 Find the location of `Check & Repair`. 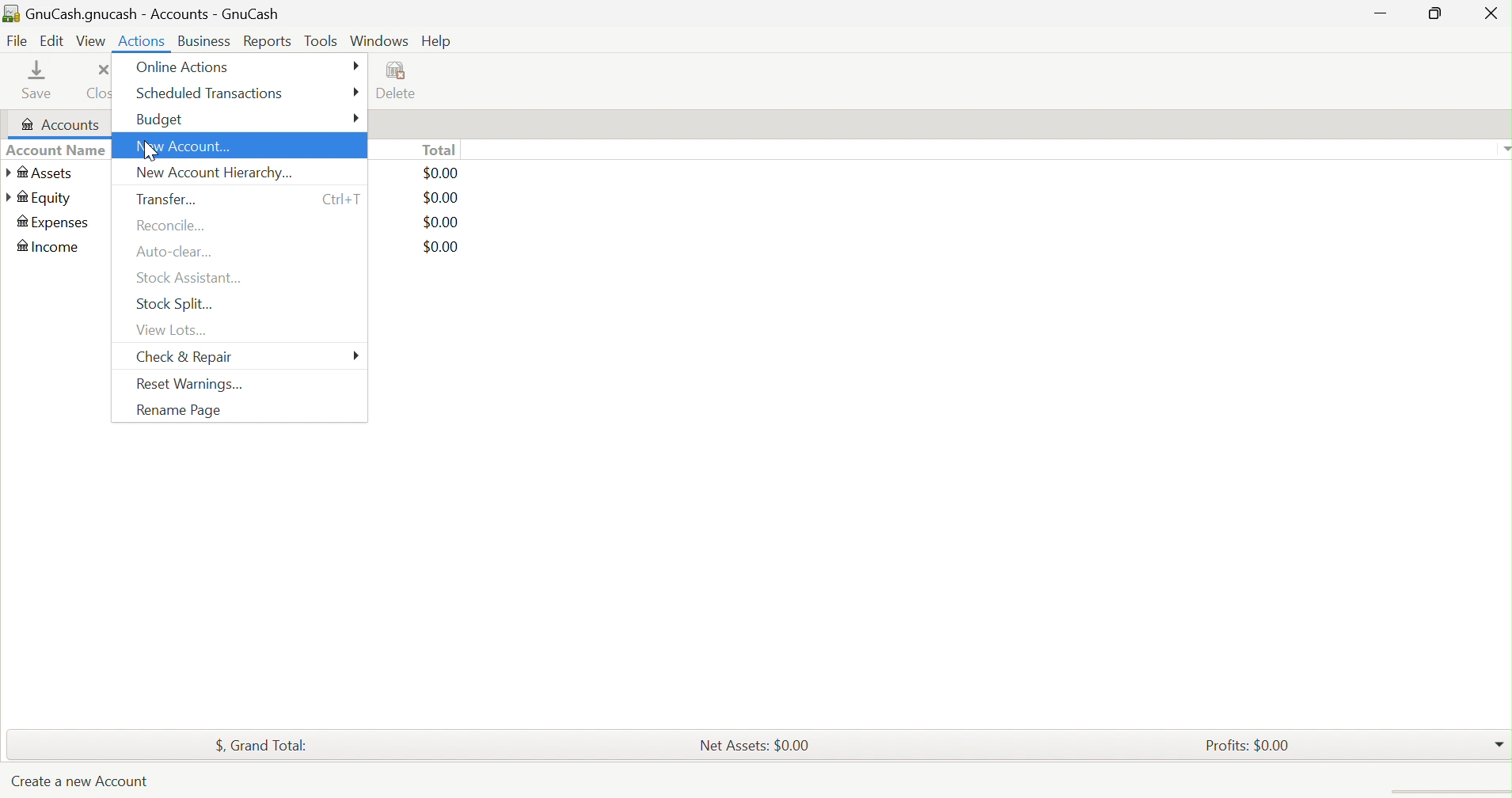

Check & Repair is located at coordinates (187, 359).